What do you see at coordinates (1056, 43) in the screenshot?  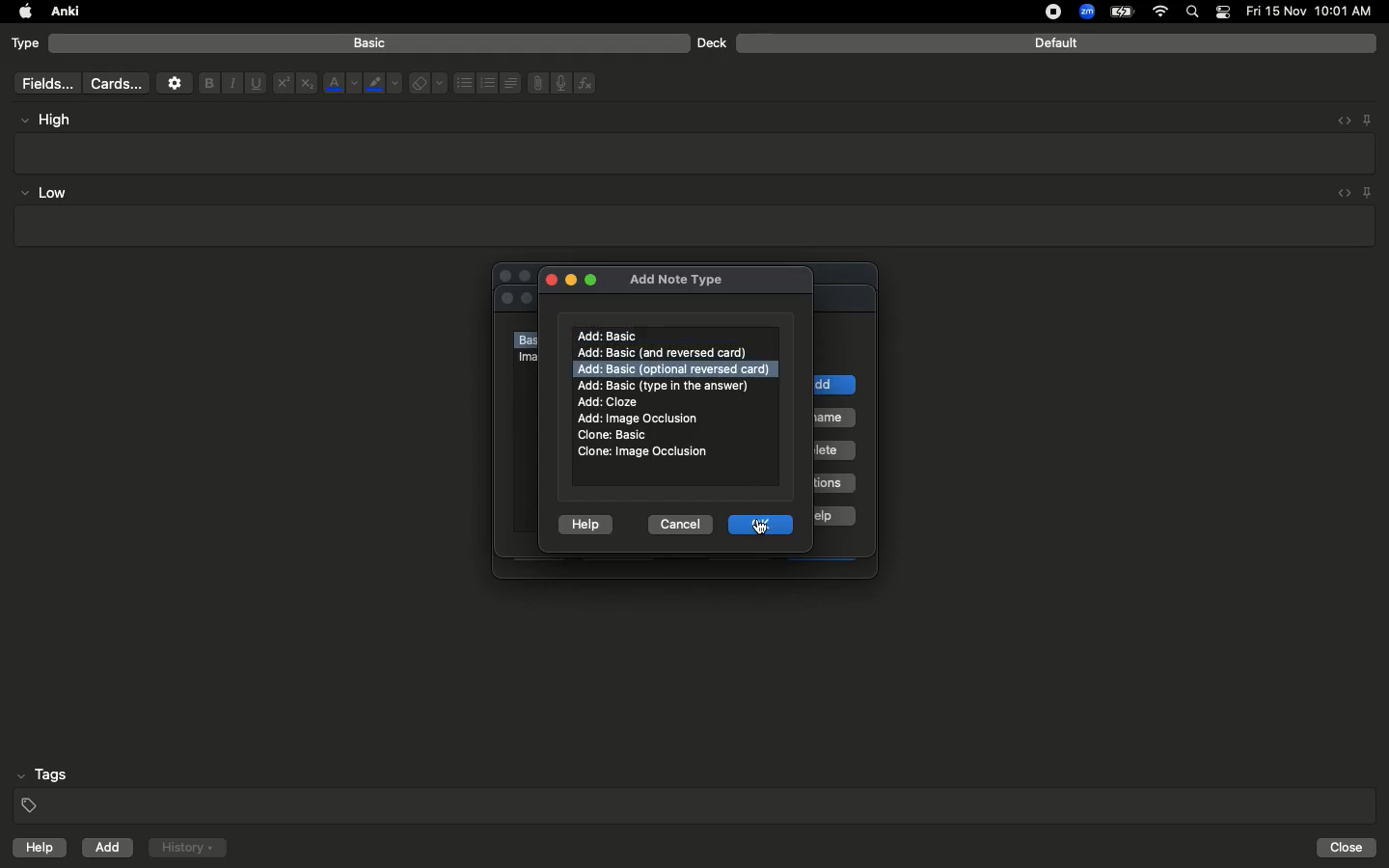 I see `Default` at bounding box center [1056, 43].